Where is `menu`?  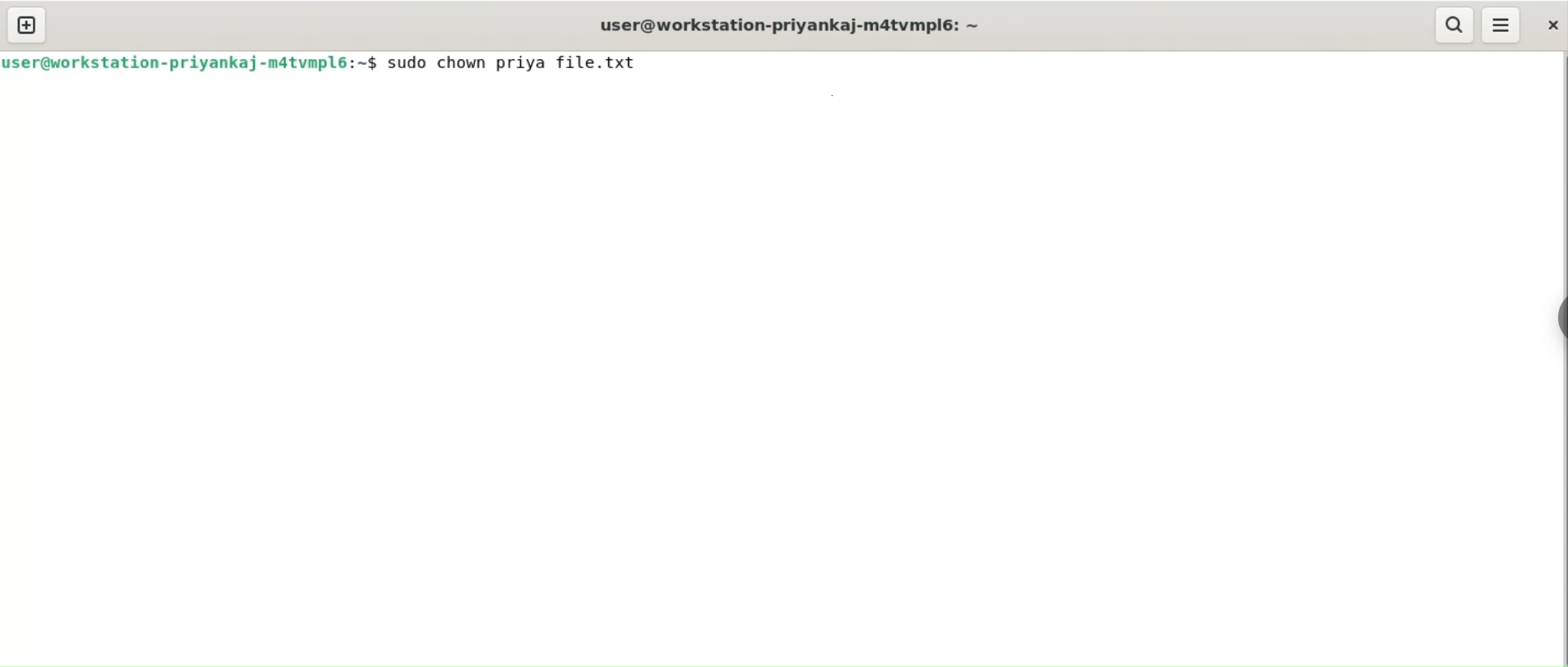
menu is located at coordinates (1502, 25).